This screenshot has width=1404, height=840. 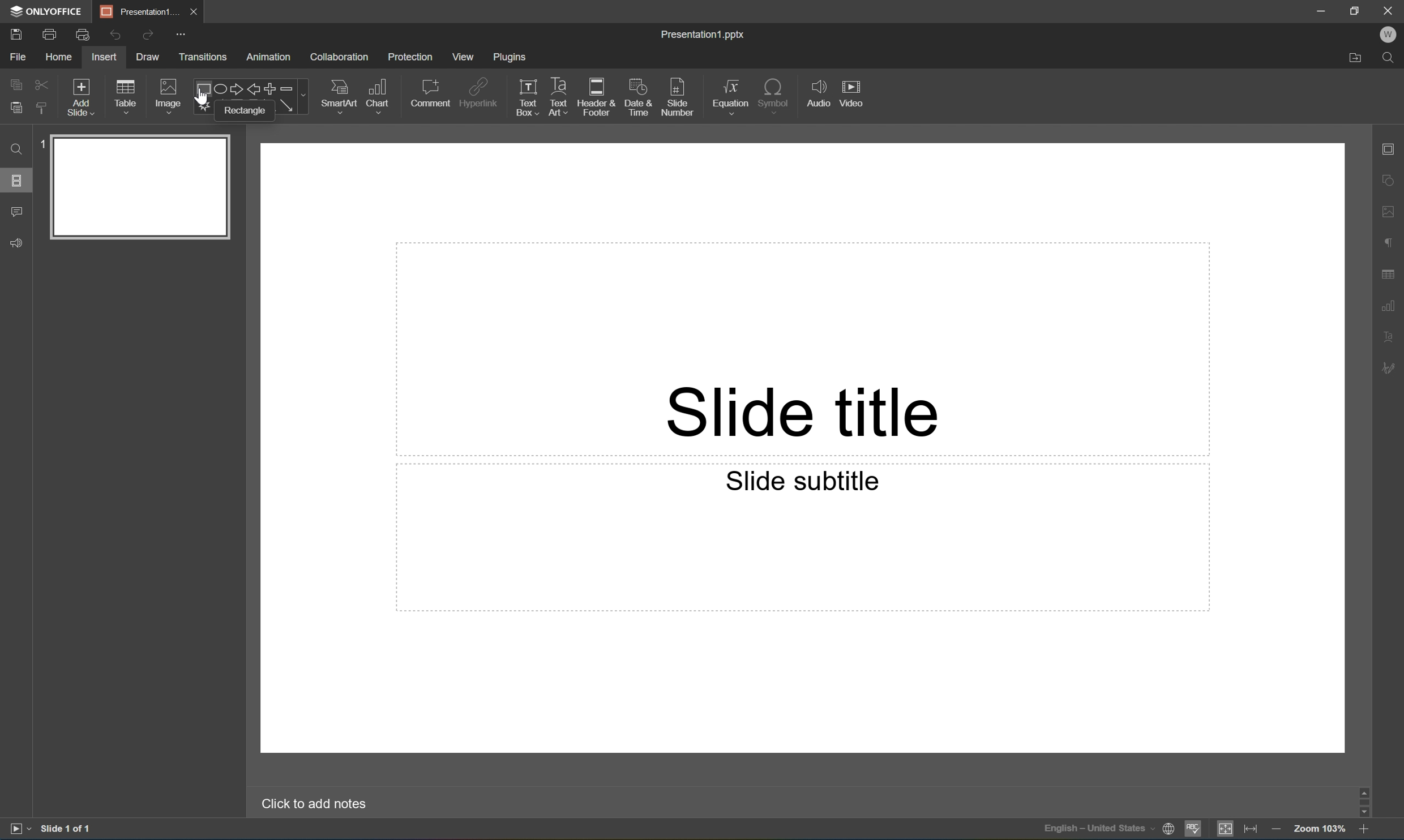 What do you see at coordinates (1273, 827) in the screenshot?
I see `Zoom out` at bounding box center [1273, 827].